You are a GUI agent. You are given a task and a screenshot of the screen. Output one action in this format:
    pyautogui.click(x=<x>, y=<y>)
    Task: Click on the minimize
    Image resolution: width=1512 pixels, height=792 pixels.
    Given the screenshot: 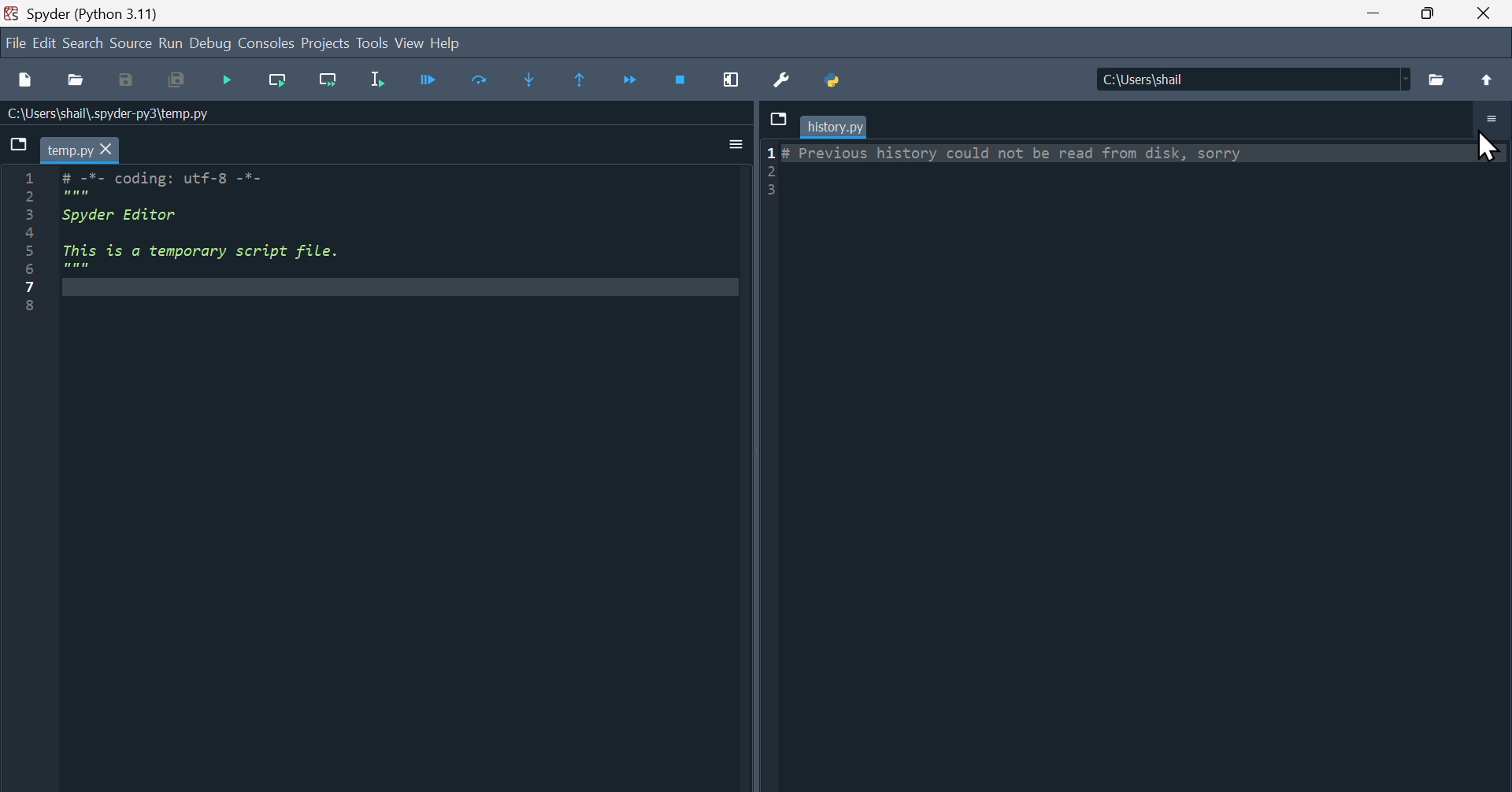 What is the action you would take?
    pyautogui.click(x=1369, y=13)
    